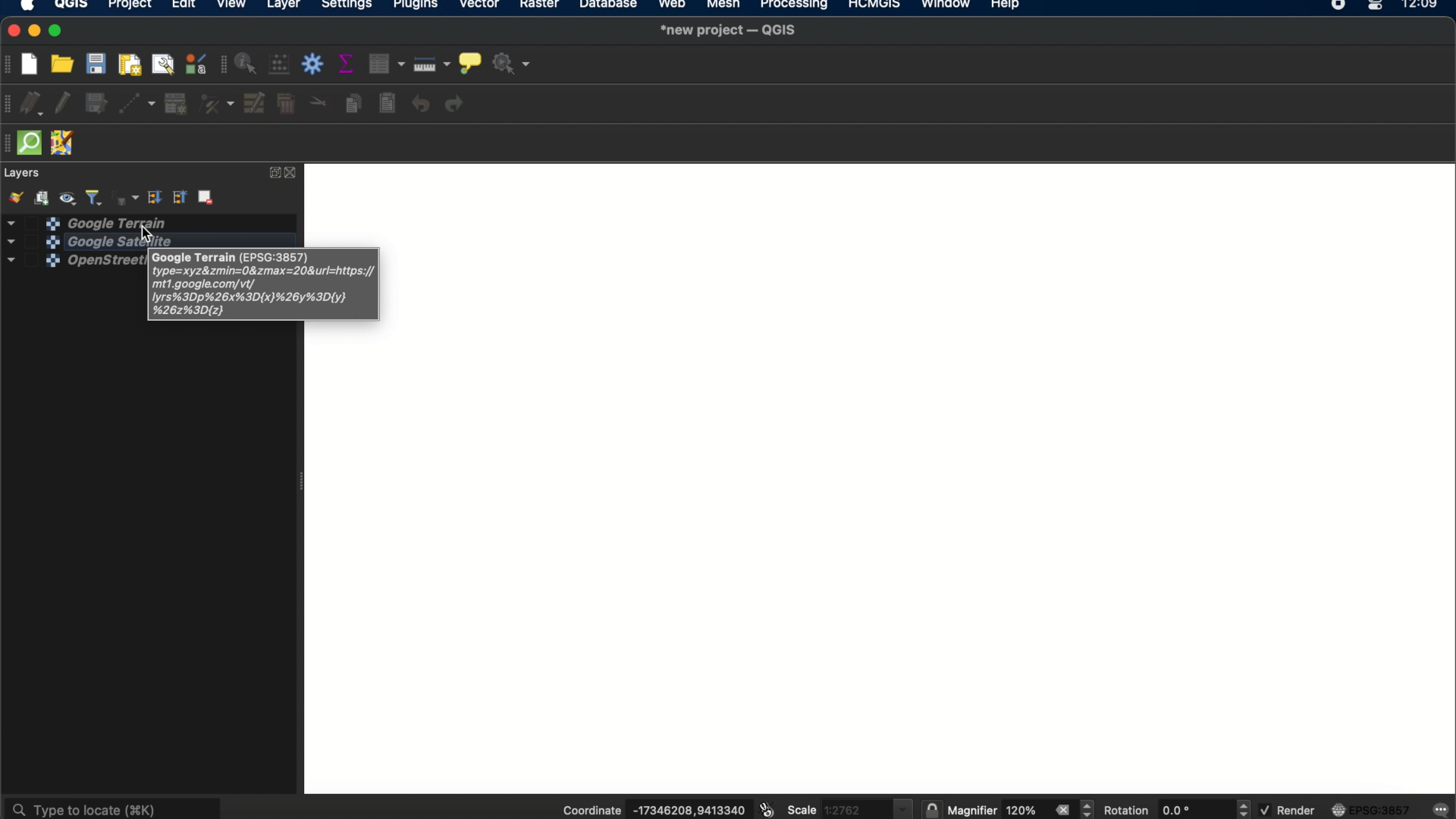  I want to click on magnifier 120%, so click(996, 811).